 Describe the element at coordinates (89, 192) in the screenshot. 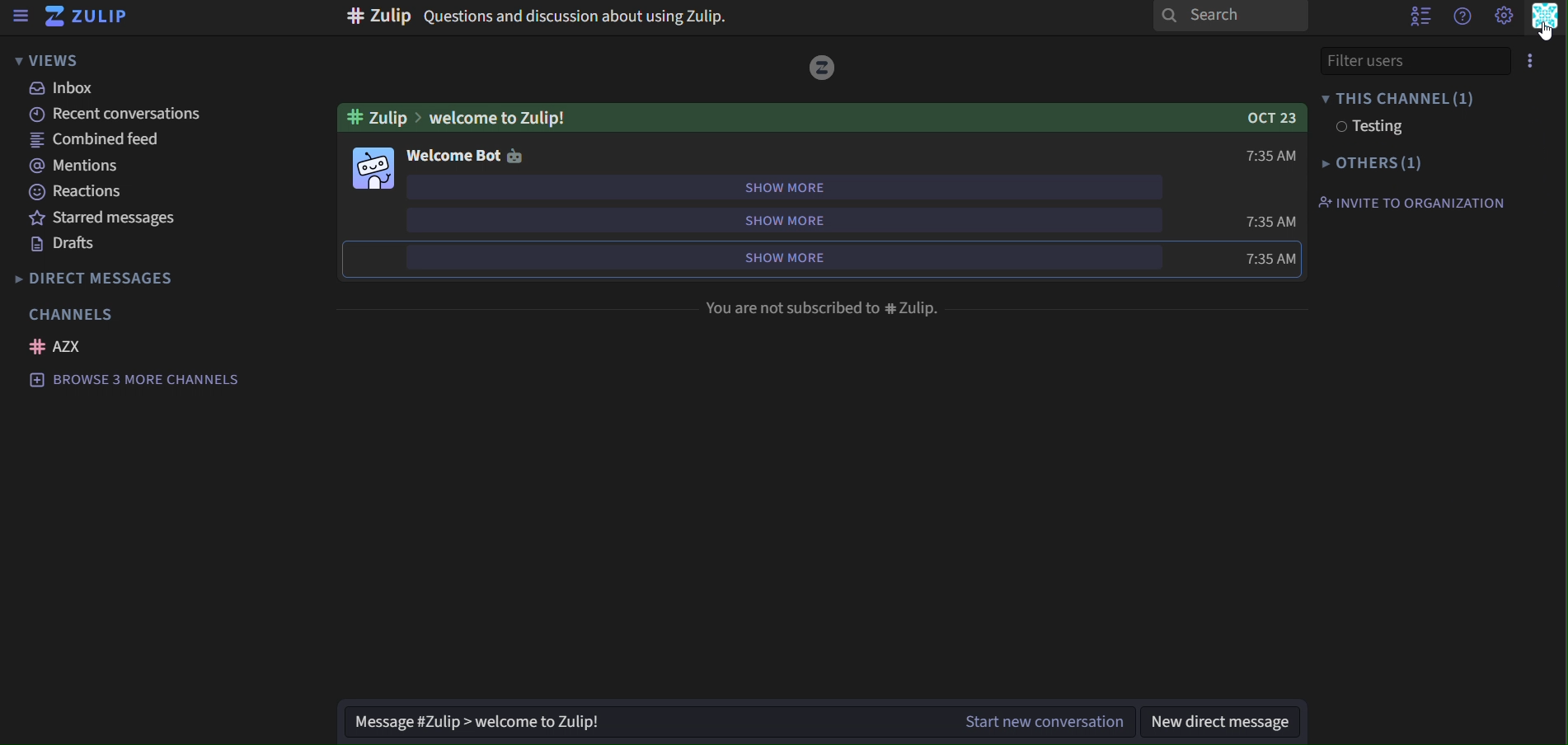

I see `reactions` at that location.